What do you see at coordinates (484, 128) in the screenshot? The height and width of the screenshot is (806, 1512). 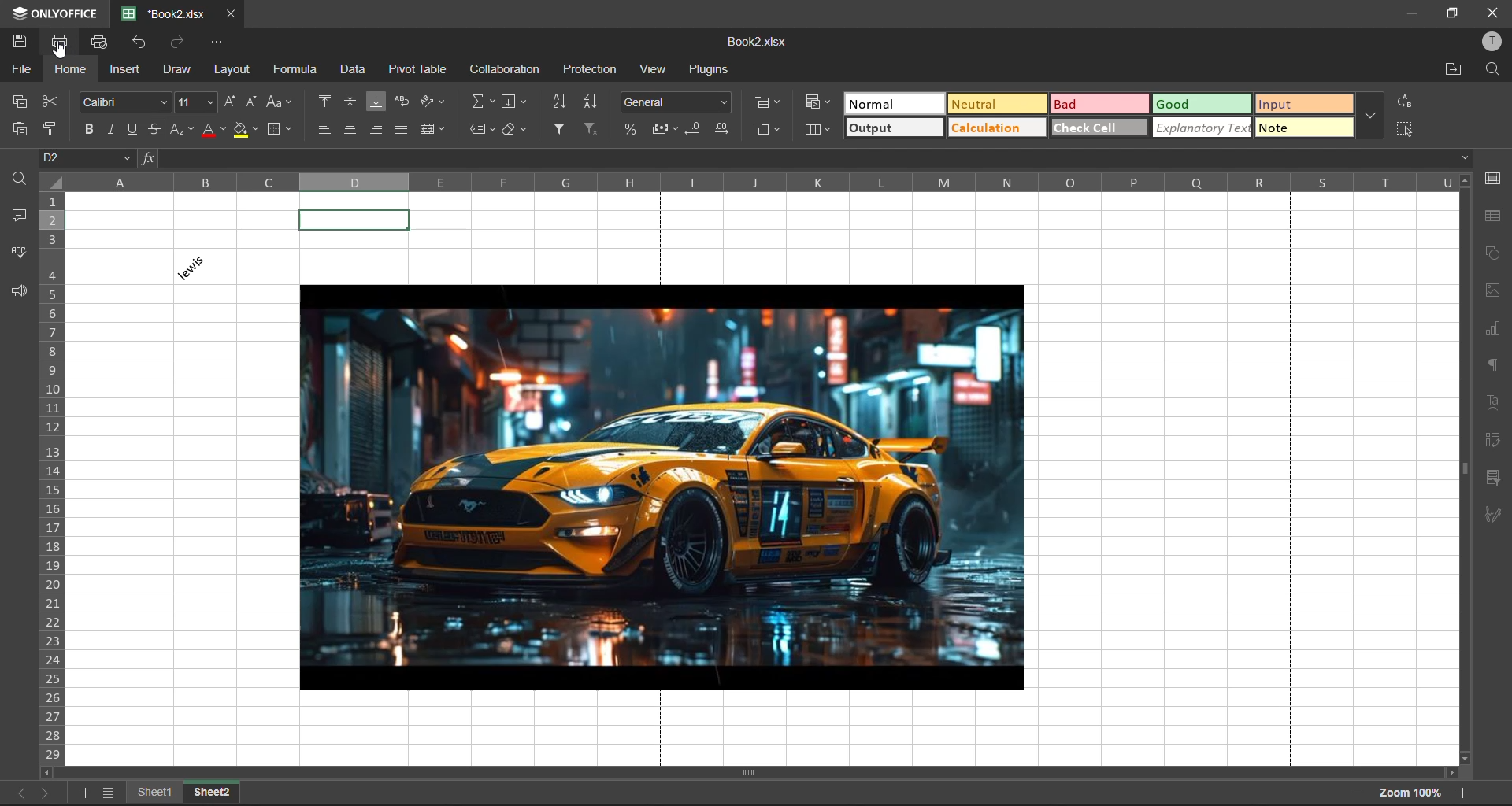 I see `named ranges` at bounding box center [484, 128].